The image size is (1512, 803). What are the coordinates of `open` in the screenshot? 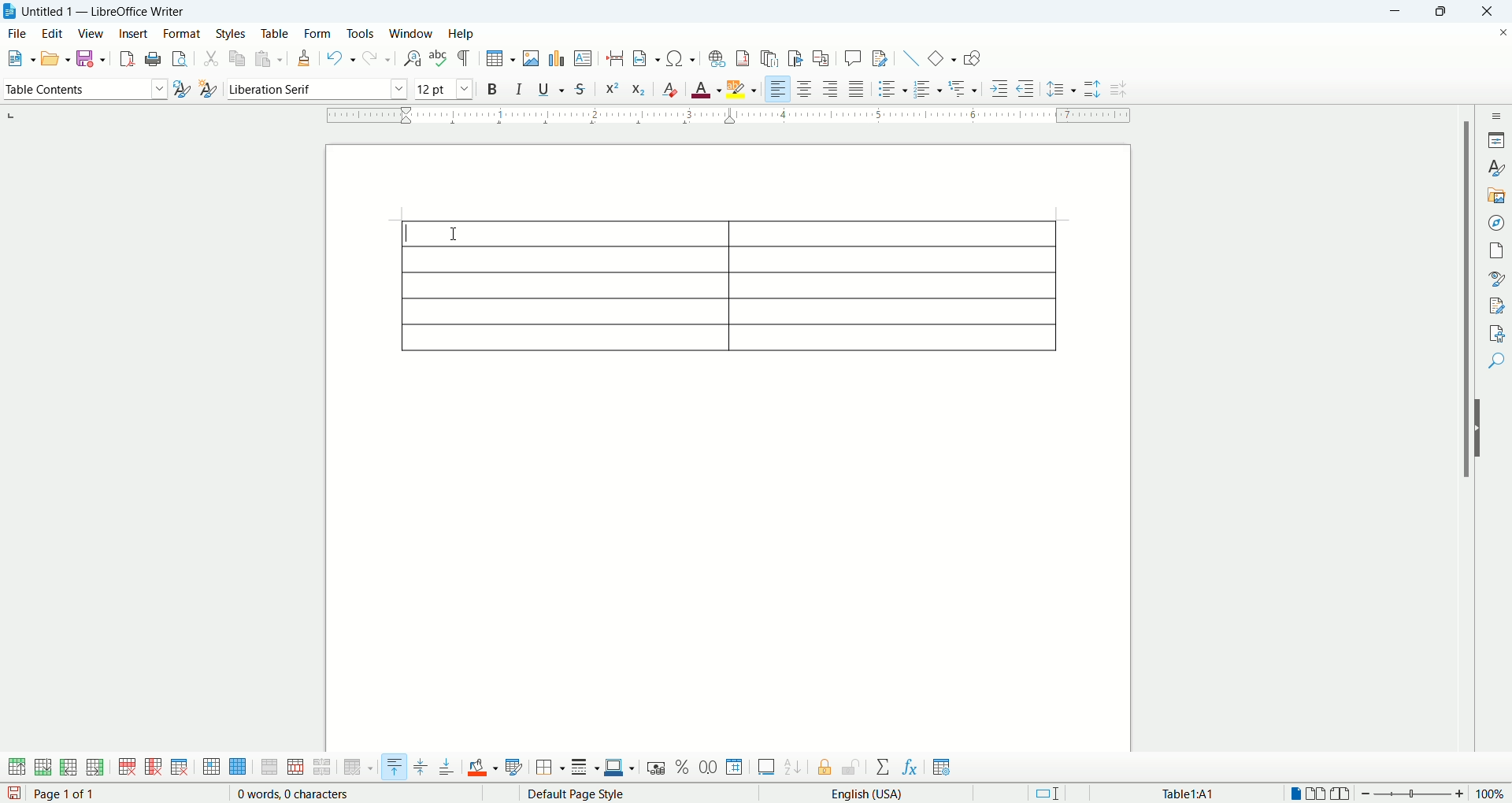 It's located at (55, 57).